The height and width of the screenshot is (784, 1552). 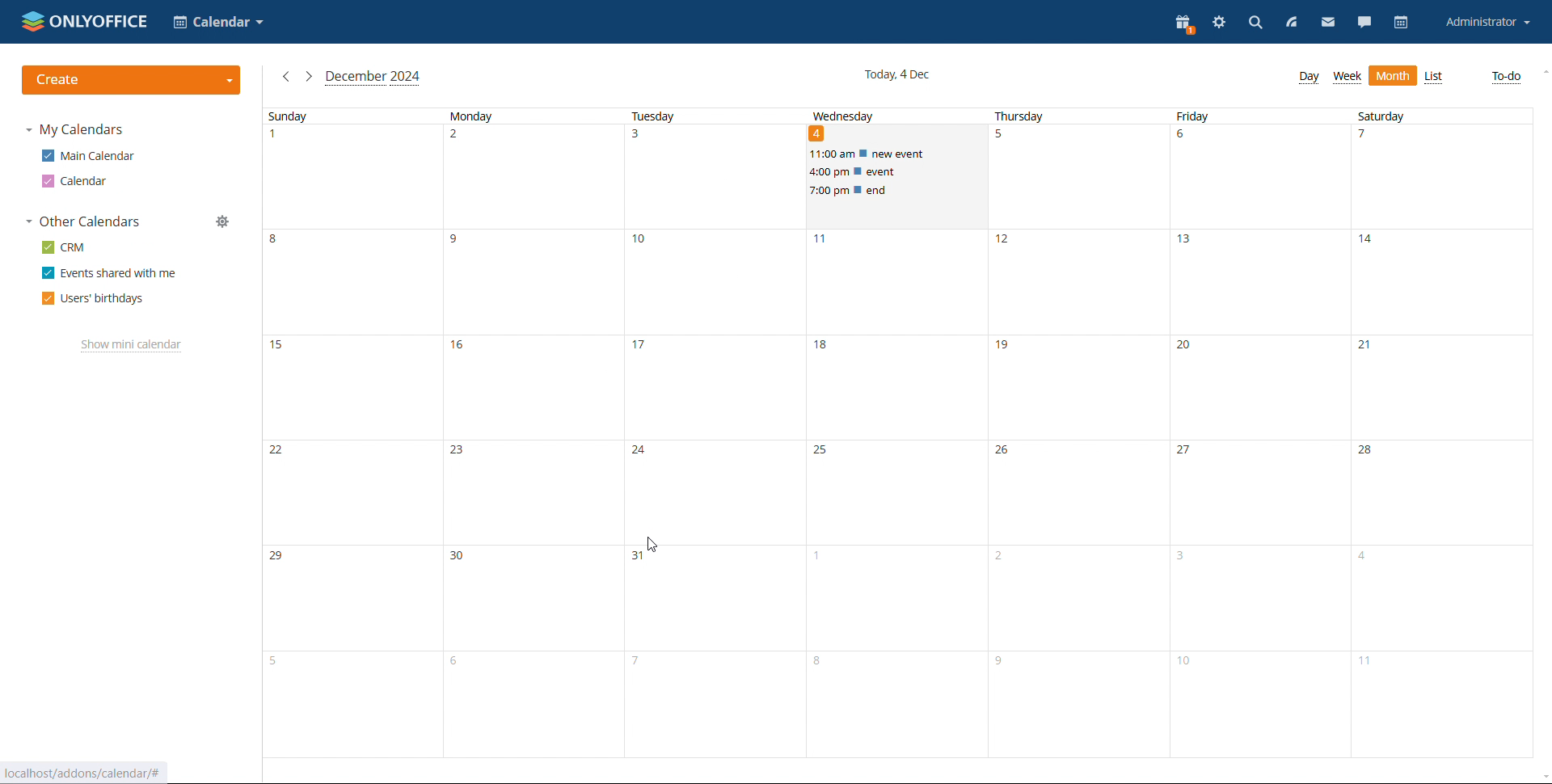 What do you see at coordinates (223, 217) in the screenshot?
I see `manage` at bounding box center [223, 217].